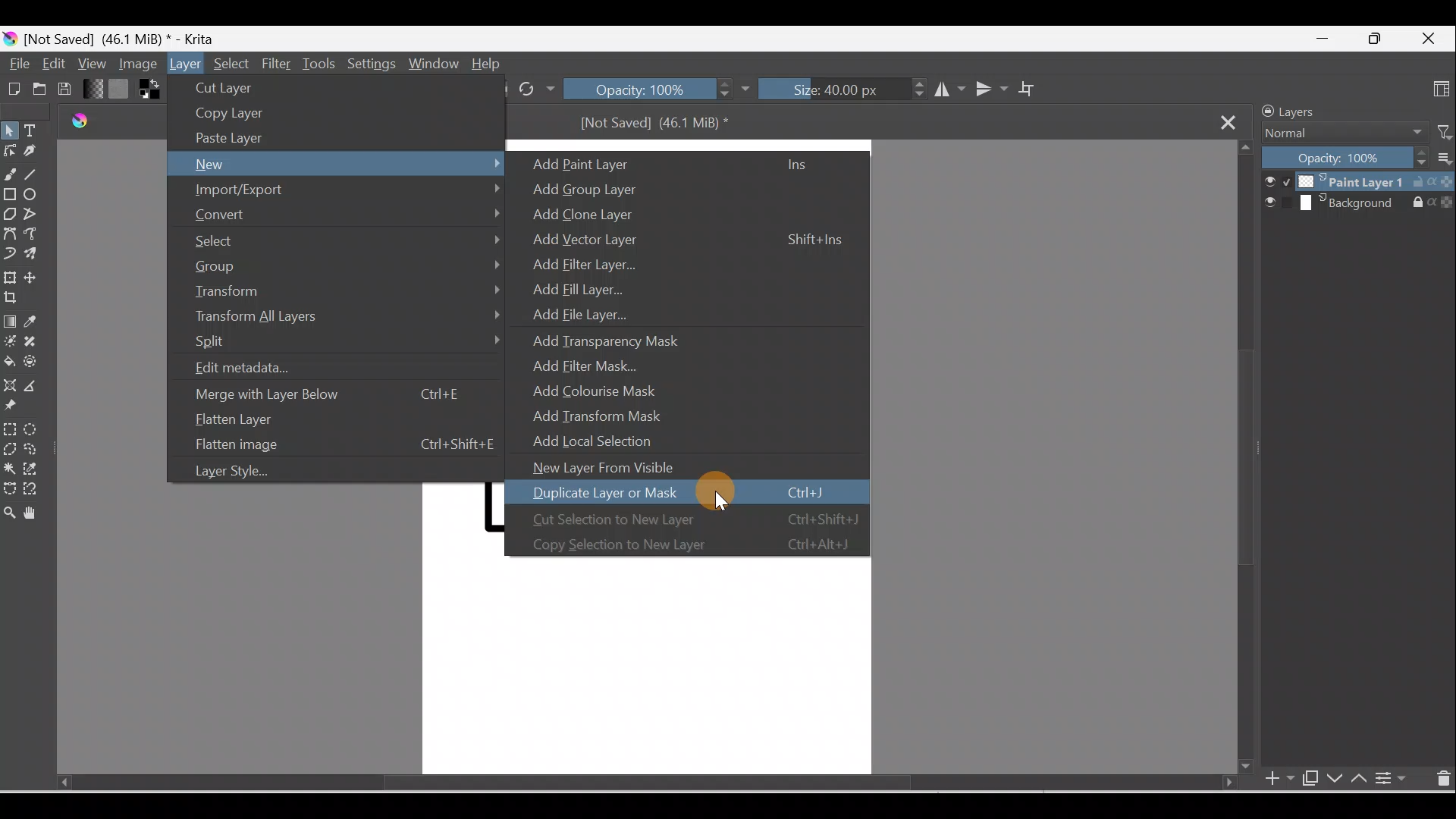 Image resolution: width=1456 pixels, height=819 pixels. Describe the element at coordinates (36, 256) in the screenshot. I see `Multibrush tool` at that location.